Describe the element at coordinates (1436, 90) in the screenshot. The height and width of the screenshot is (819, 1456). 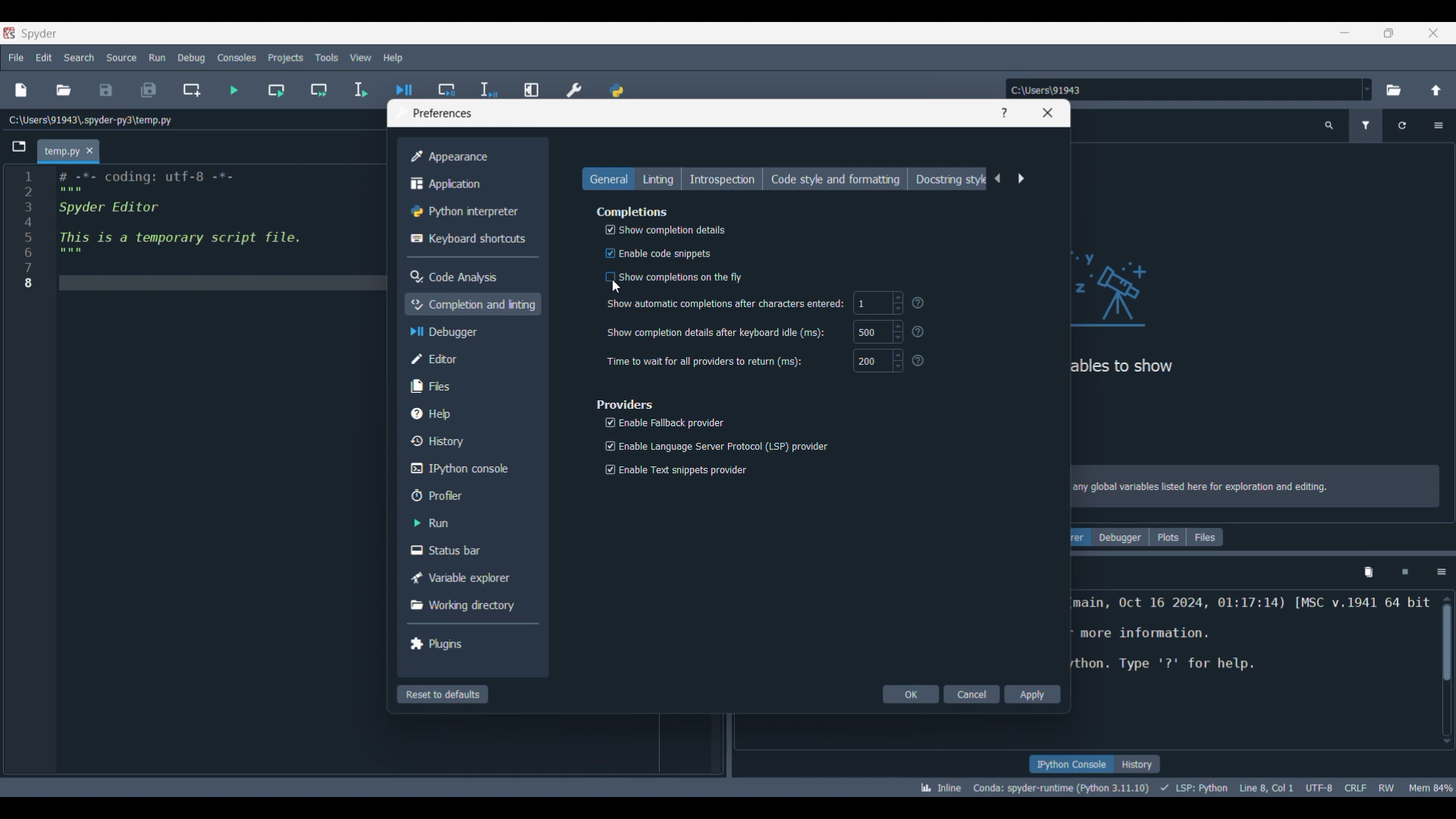
I see `Change to parent directory` at that location.